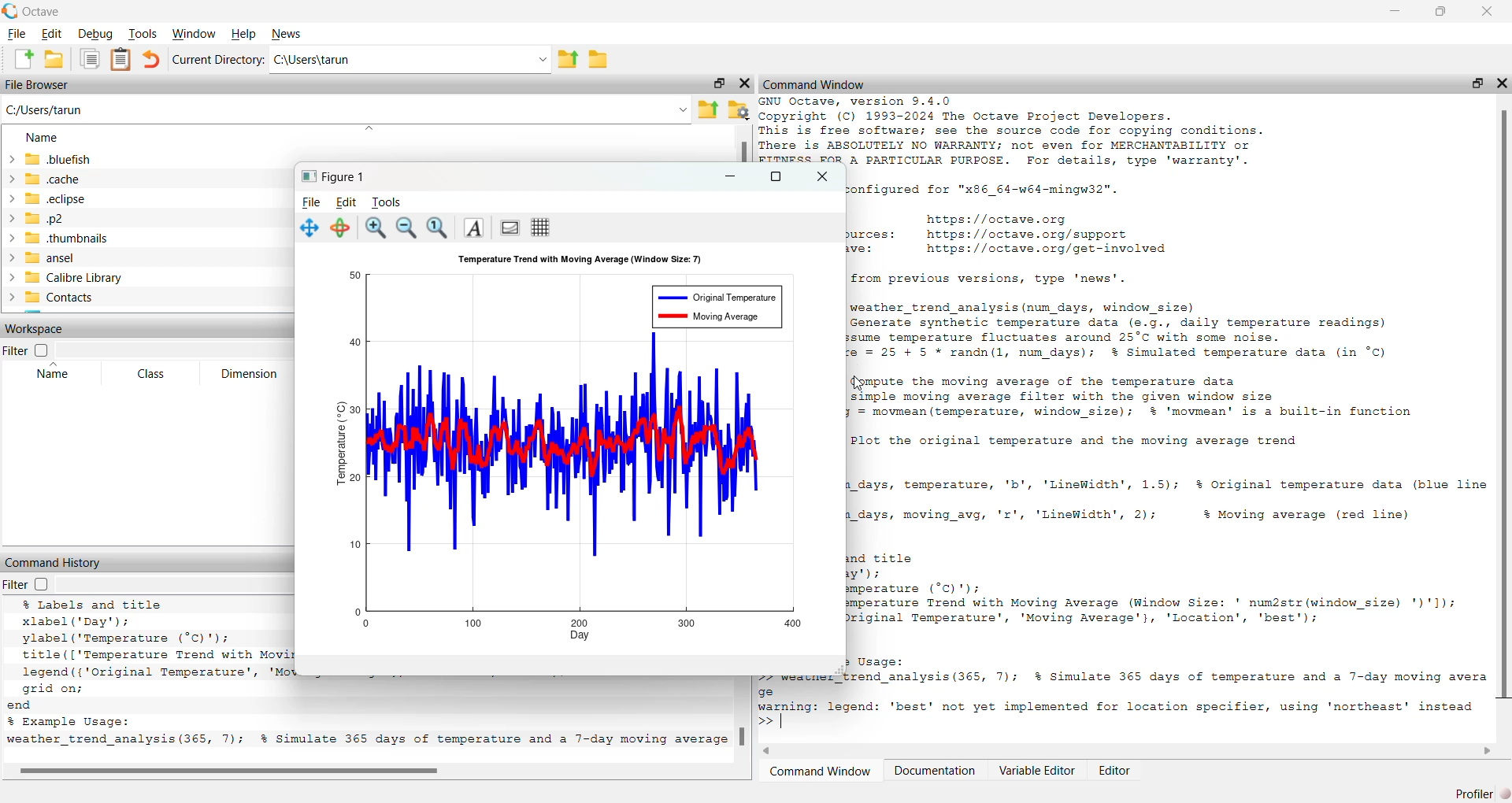 The height and width of the screenshot is (803, 1512). I want to click on configured for  "x86_64-w64-mingw32".https: //octave.orgurces:  https://octave.org/supportve: https://octave.org/get-involvedfrom previous versions, type 'news'.weather_trend_analysis (num days, window_size)Generate synthetic temperature data (e.g., daily temperature readings)sume temperature fluctuates around 25°C with some noise.= 25 + 5 * randn(l, num days); §% Simulated temperature data (in °C)Qgmpute the moving average of the temperature datasimple moving average filter with the given window size= movmean (temperature, window_size); % 'movmean' is a built-in functionPlot the original temperature and the moving average trend_days, temperature, 'b', 'LineWidth', 1.5); §% Original temperature data (blue line_days, moving_avg, 'r', 'LineWidth', 2); $ Moving average (red line)d titley') ierature (°C)');| erature Trend with Moving Average (Window Size: ' num2str(window_size) ')'1);0 iginal Temperature', 'Moving Average'}, 'Location', 'best');3 Usage:ftrend analysis(365, 7); §% Simulate 365 days of temperature and a 7-day moving averahast’ not vat imnlssanted for location specifier. usine 'martheast' instead, so click(1167, 448).